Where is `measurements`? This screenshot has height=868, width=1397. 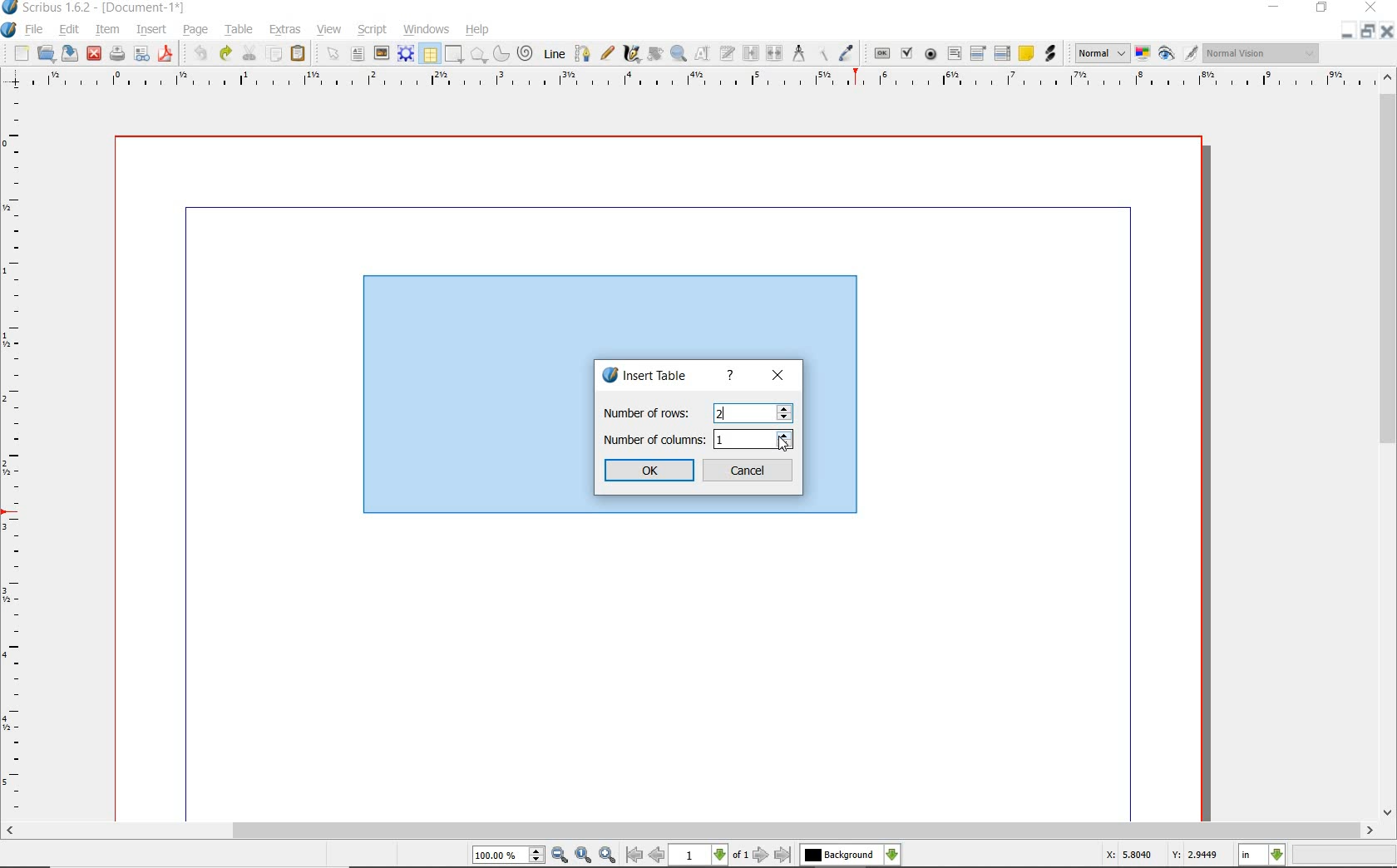
measurements is located at coordinates (799, 53).